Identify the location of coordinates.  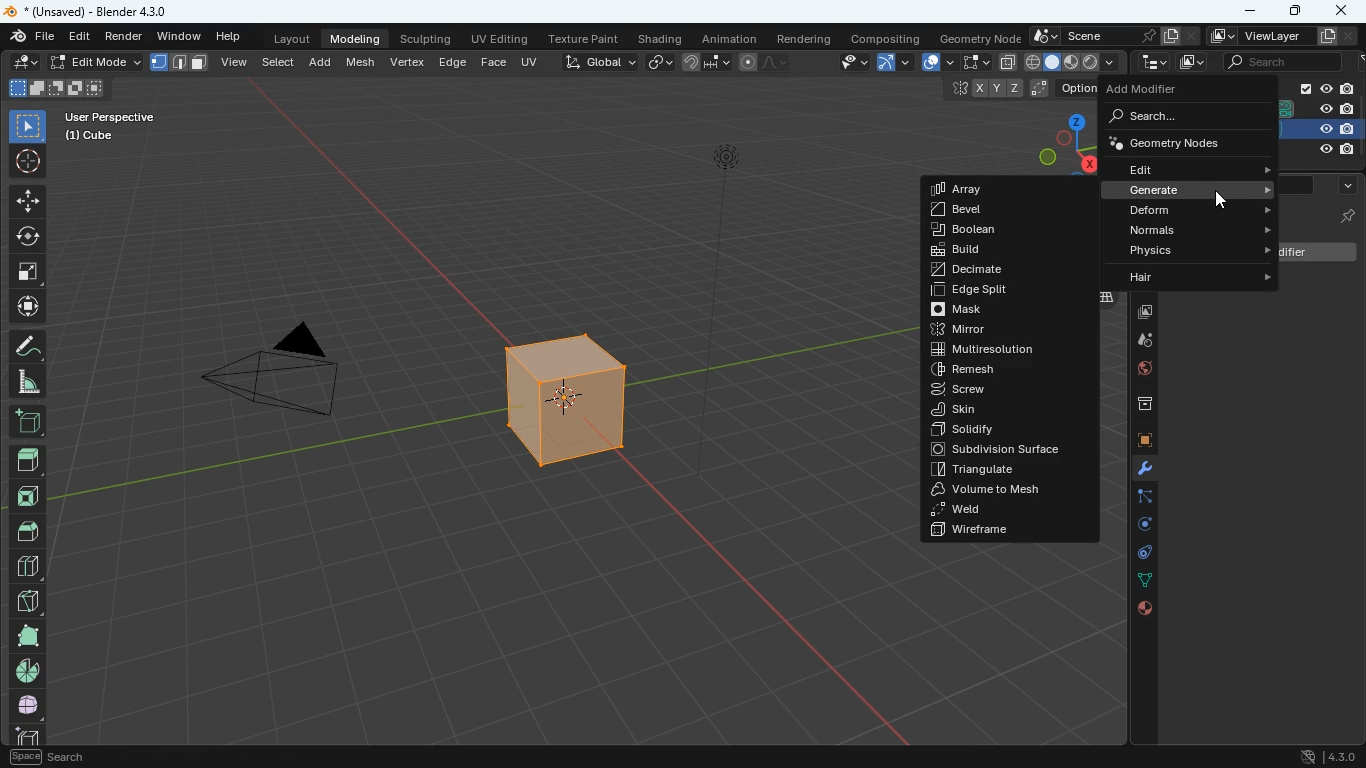
(1019, 89).